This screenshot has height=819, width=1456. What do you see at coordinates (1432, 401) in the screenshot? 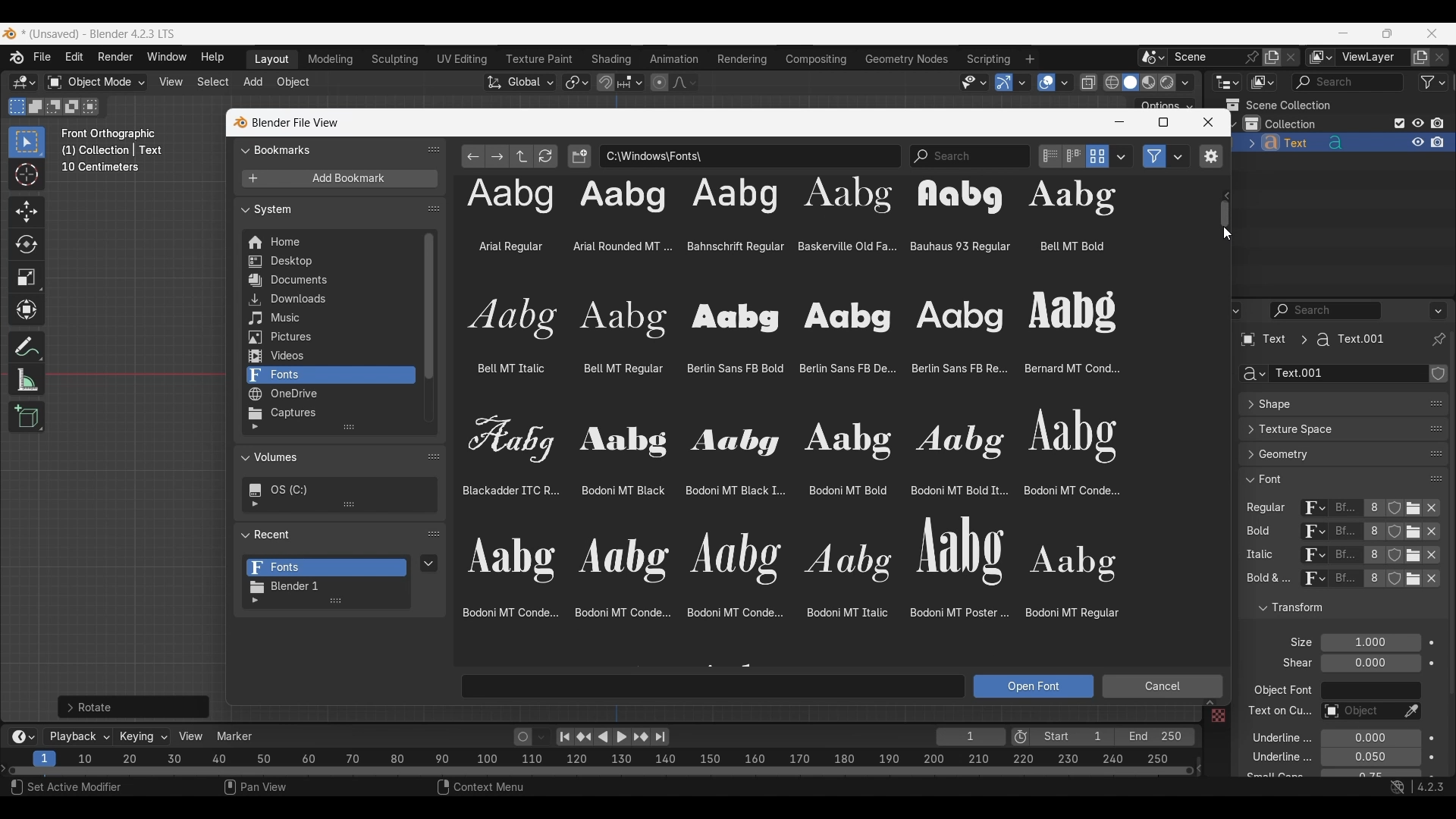
I see `Eyedropper data-block` at bounding box center [1432, 401].